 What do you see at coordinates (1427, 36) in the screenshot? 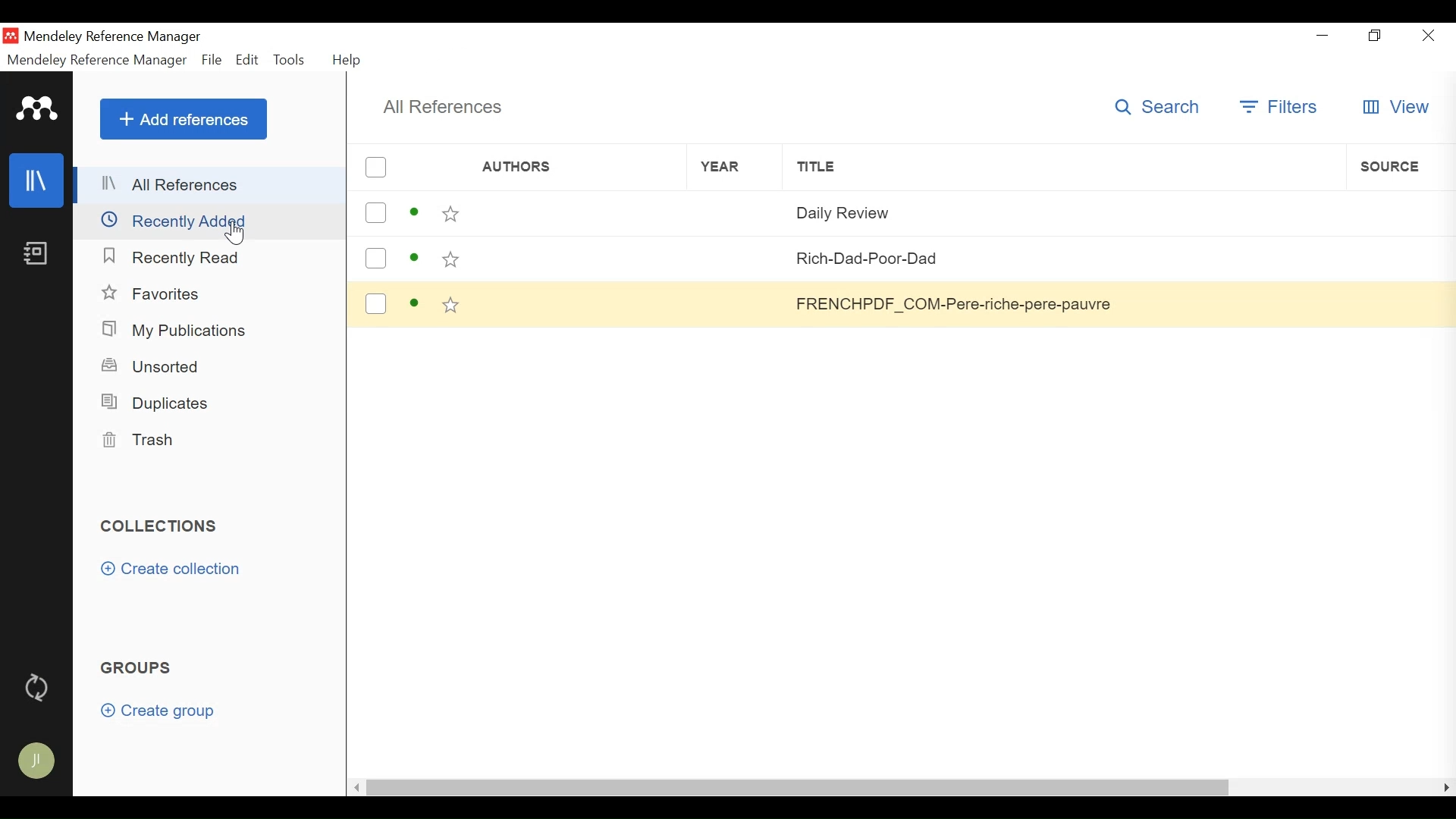
I see `Close` at bounding box center [1427, 36].